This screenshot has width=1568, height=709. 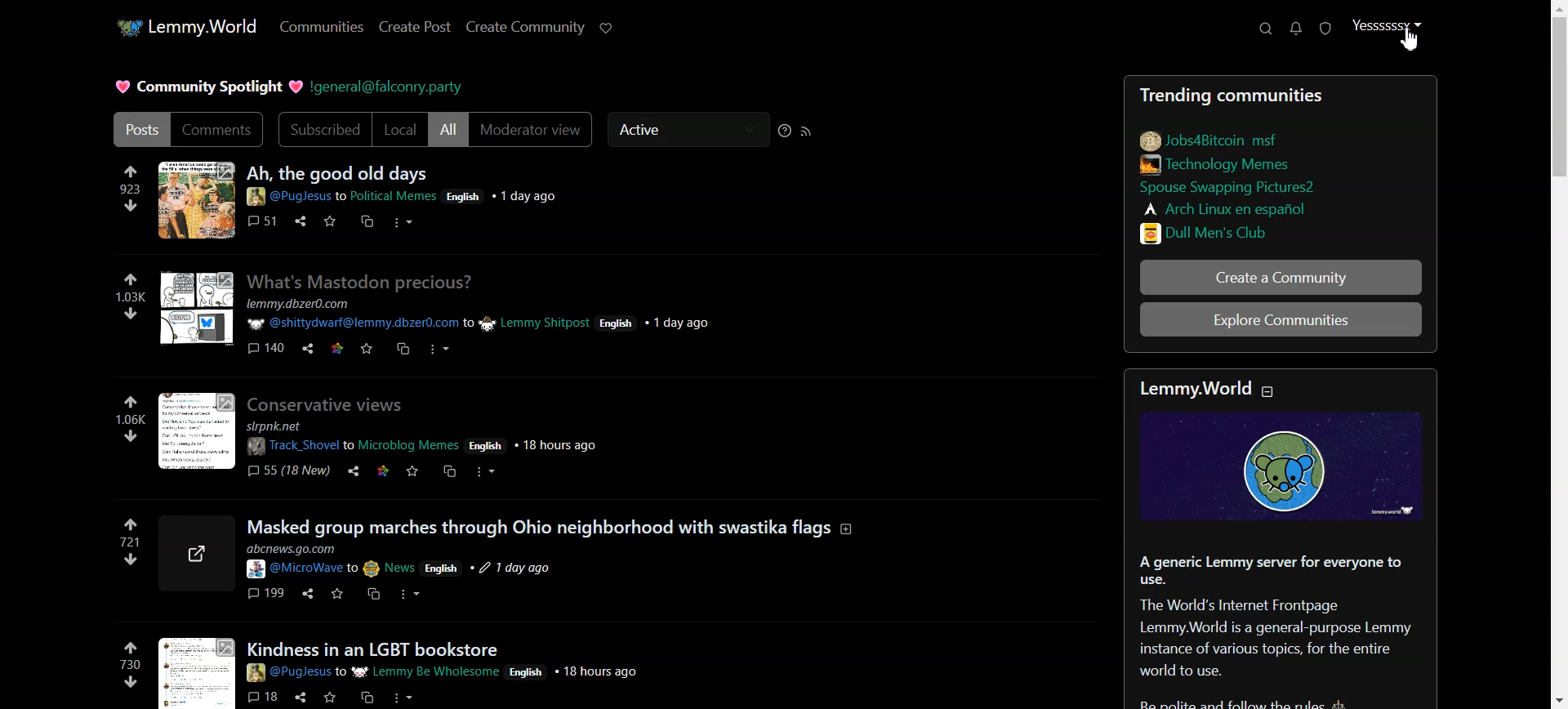 I want to click on Unread report, so click(x=1326, y=28).